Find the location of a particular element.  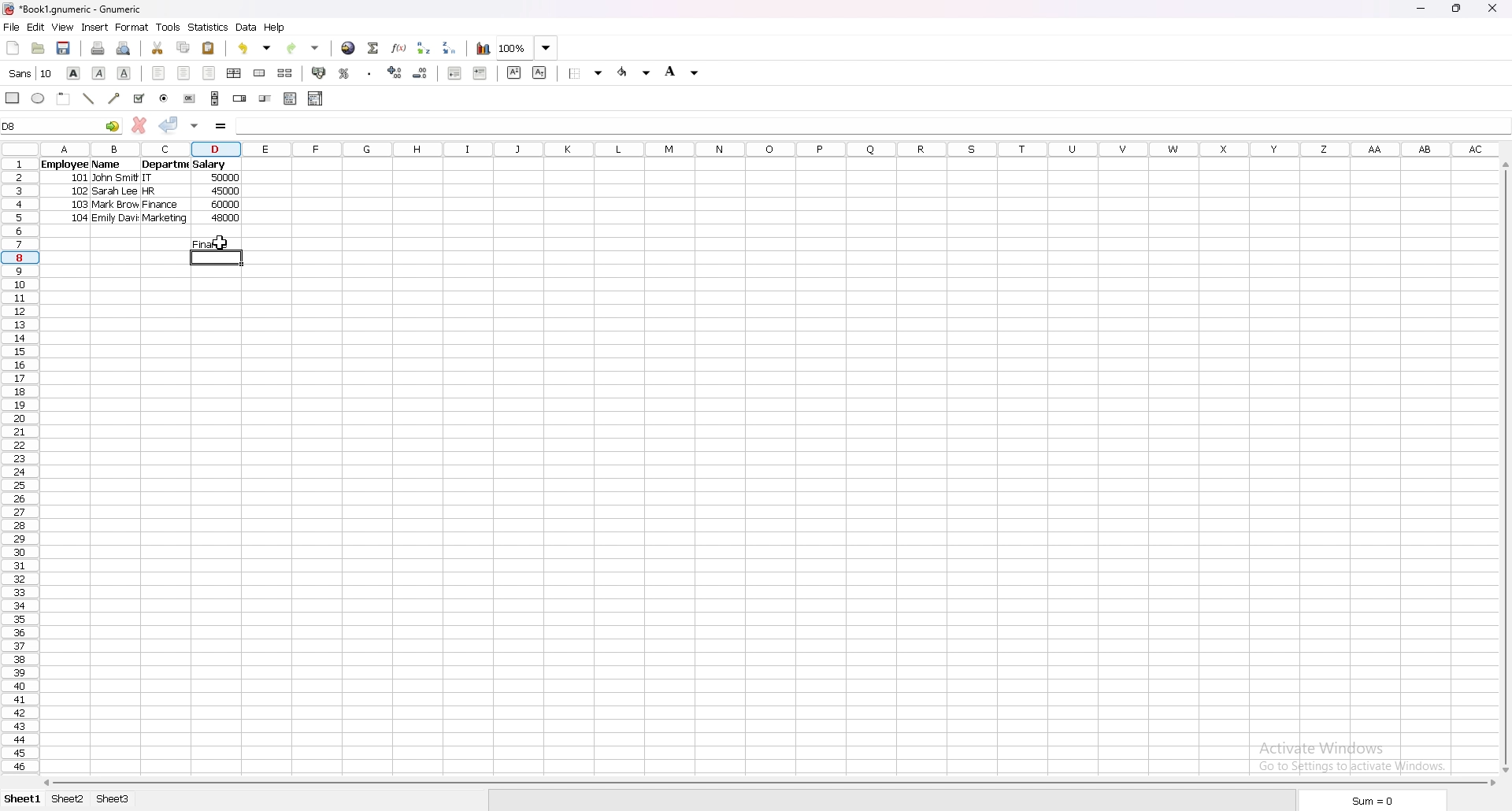

arrowed line is located at coordinates (116, 98).